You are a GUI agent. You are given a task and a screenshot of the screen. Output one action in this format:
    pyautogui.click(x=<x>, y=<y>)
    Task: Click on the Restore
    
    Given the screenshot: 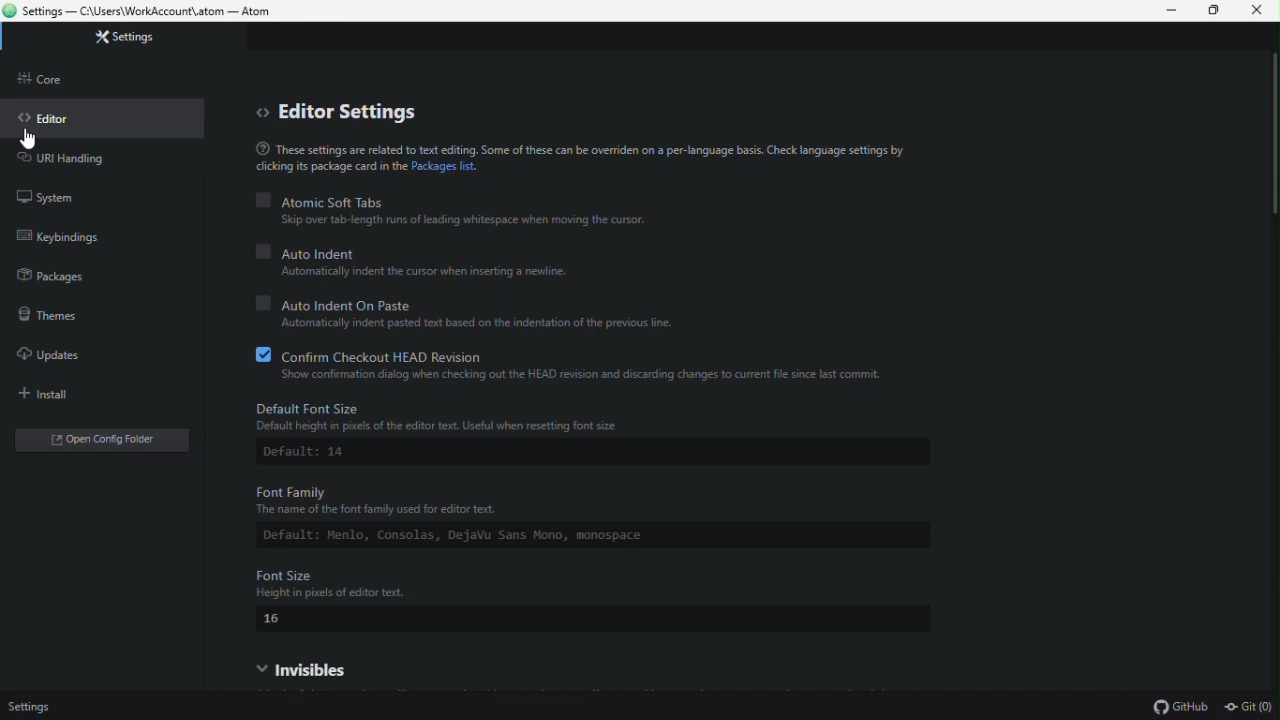 What is the action you would take?
    pyautogui.click(x=1216, y=10)
    